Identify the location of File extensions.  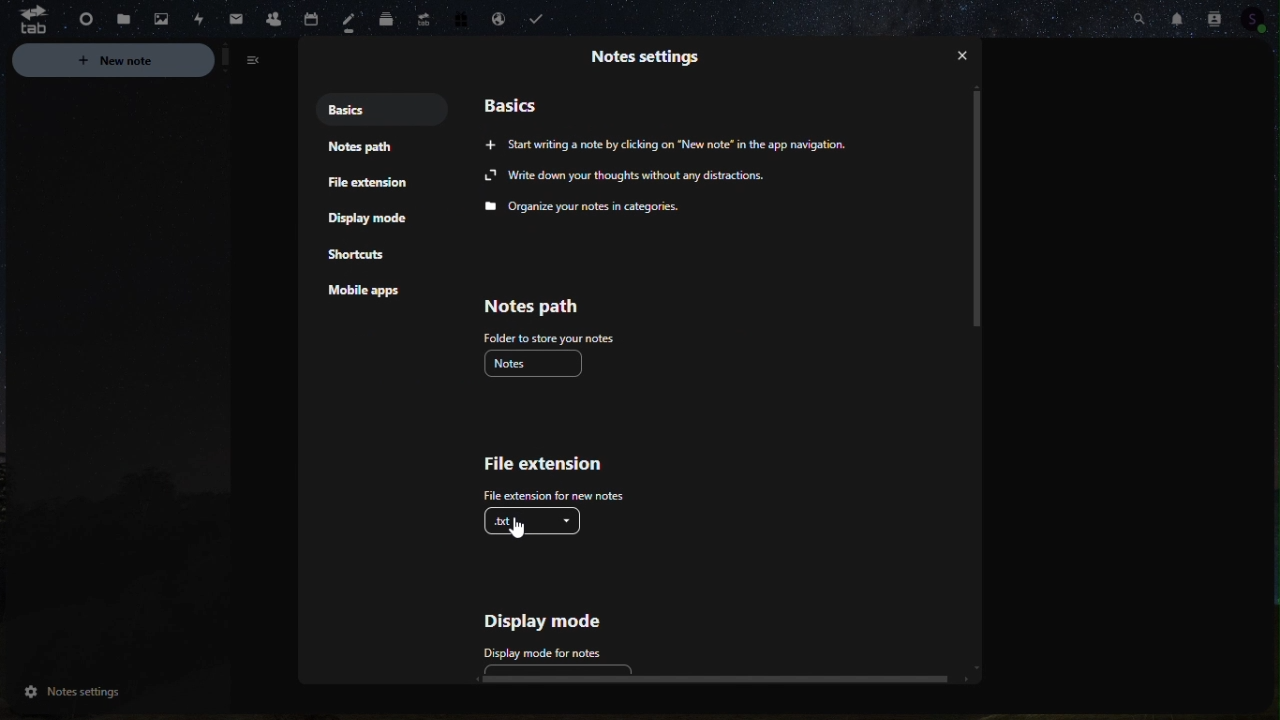
(365, 183).